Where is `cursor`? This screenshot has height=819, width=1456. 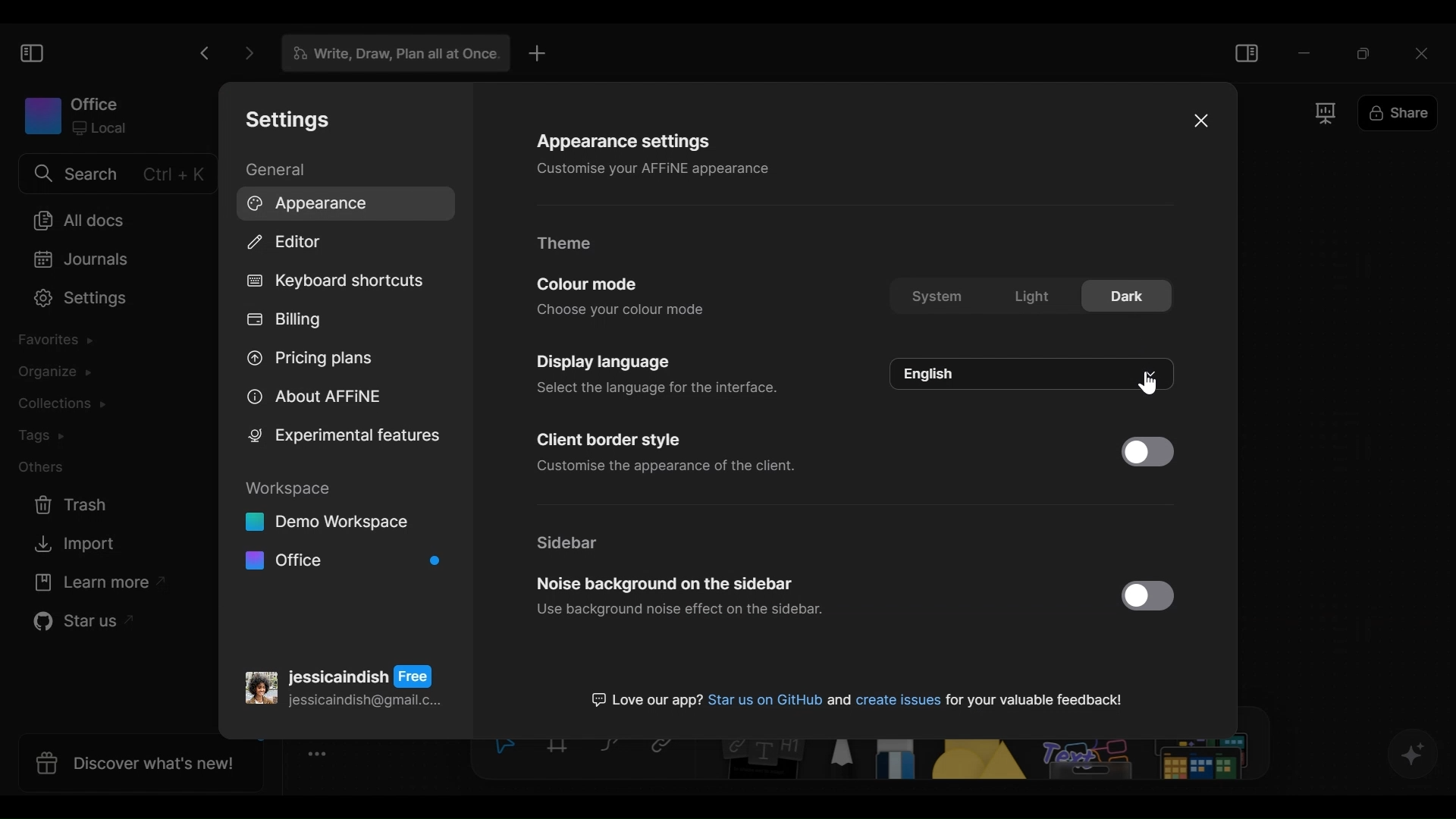 cursor is located at coordinates (1151, 388).